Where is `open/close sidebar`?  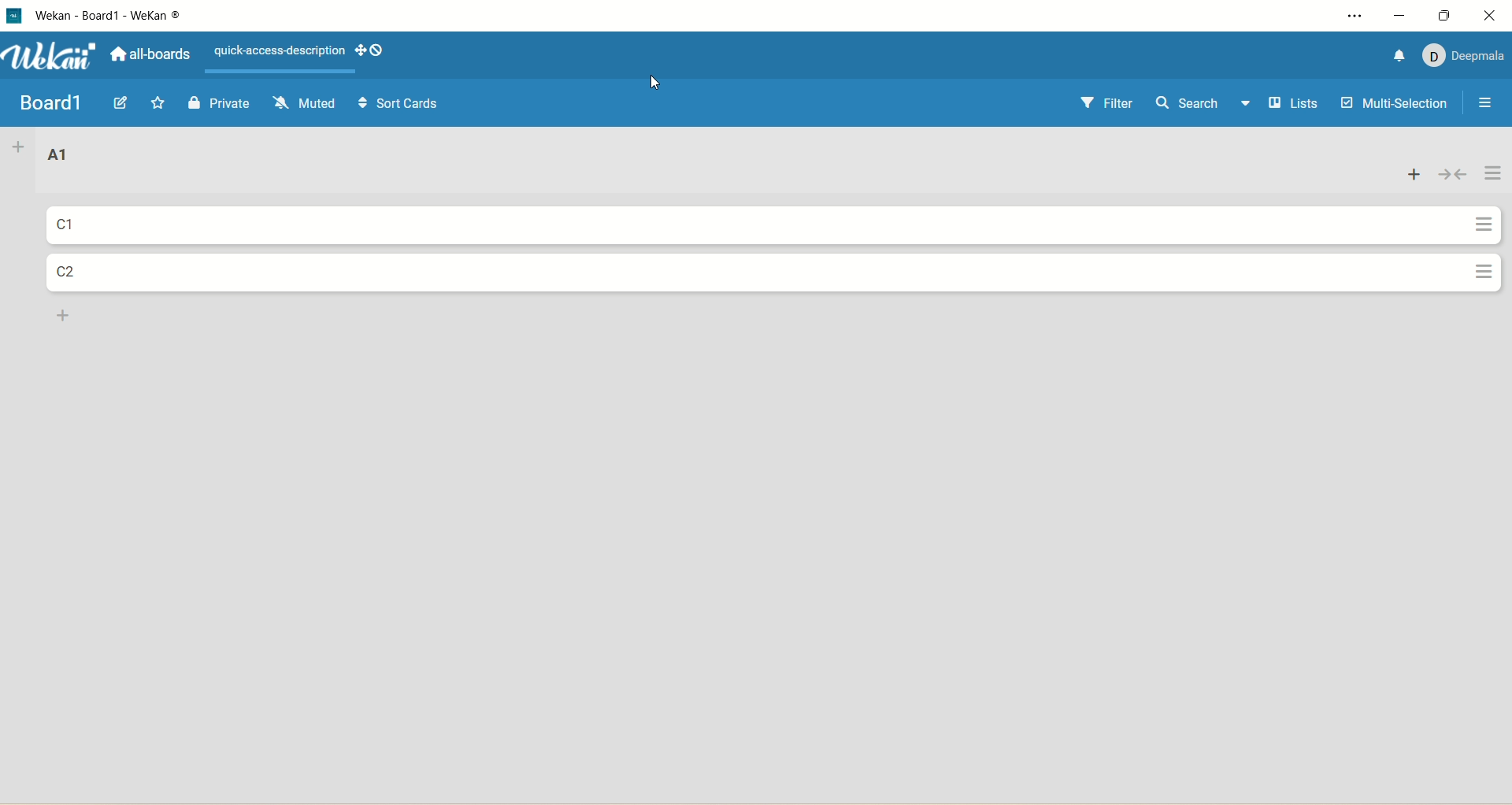 open/close sidebar is located at coordinates (1486, 106).